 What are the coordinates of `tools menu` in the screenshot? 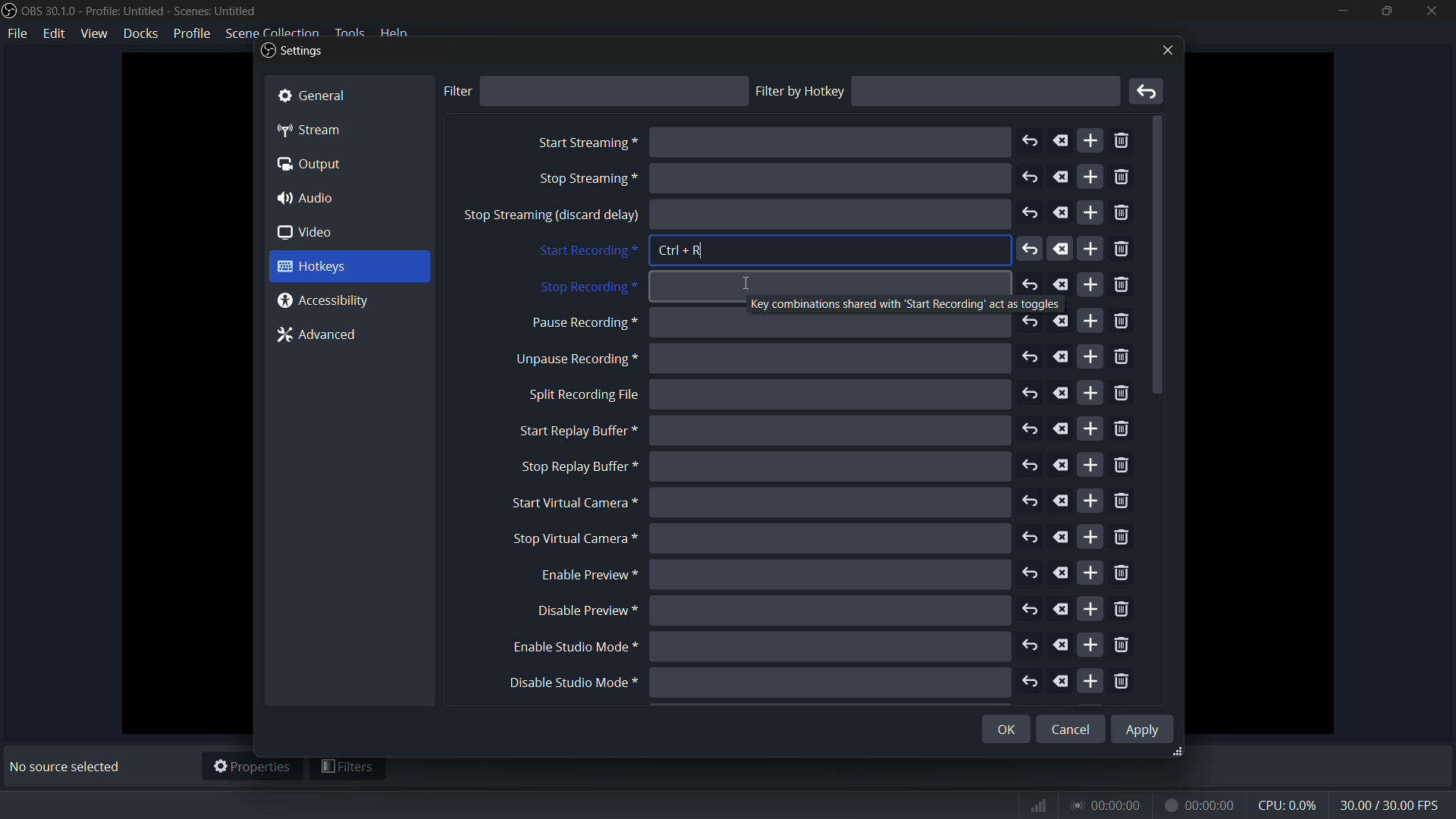 It's located at (349, 33).